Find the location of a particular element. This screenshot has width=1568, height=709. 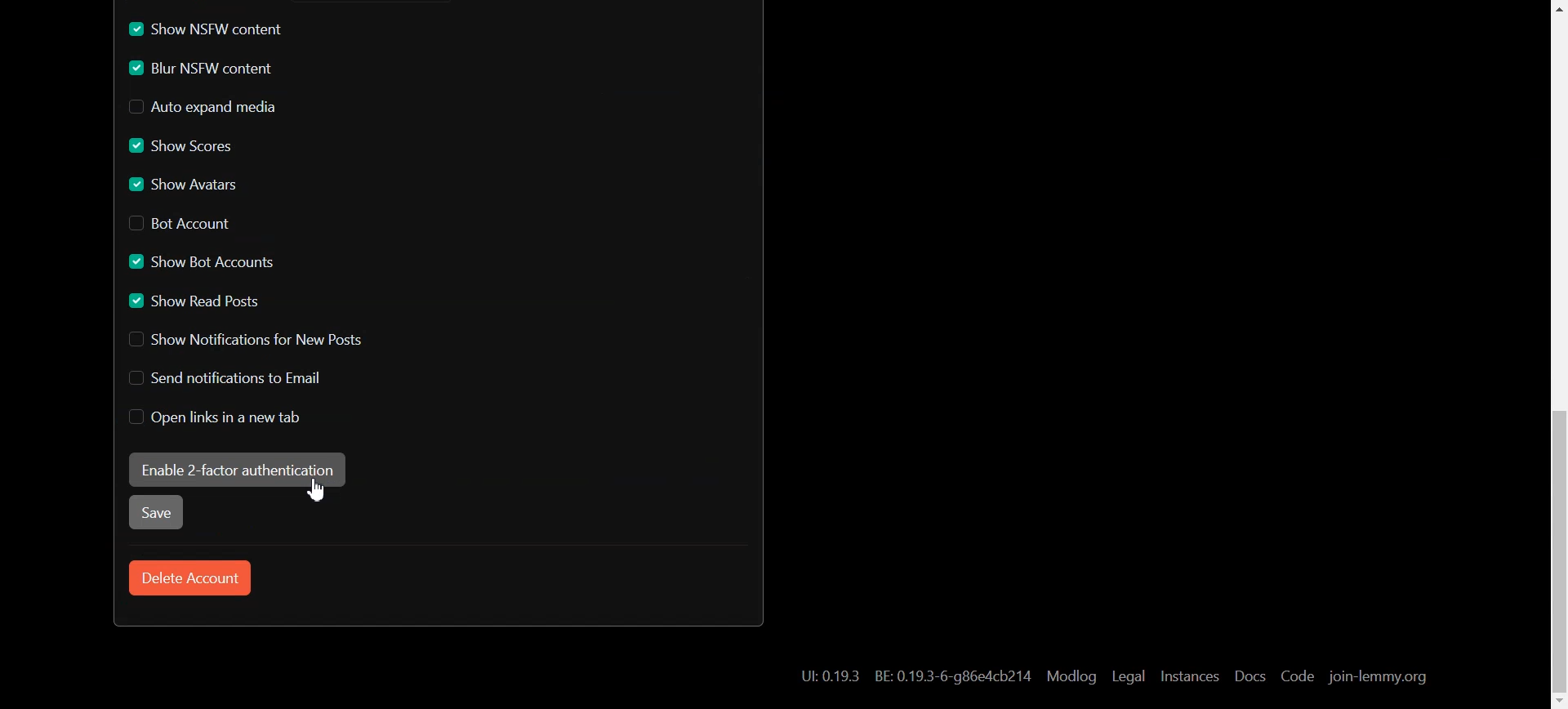

Modlog is located at coordinates (1071, 676).